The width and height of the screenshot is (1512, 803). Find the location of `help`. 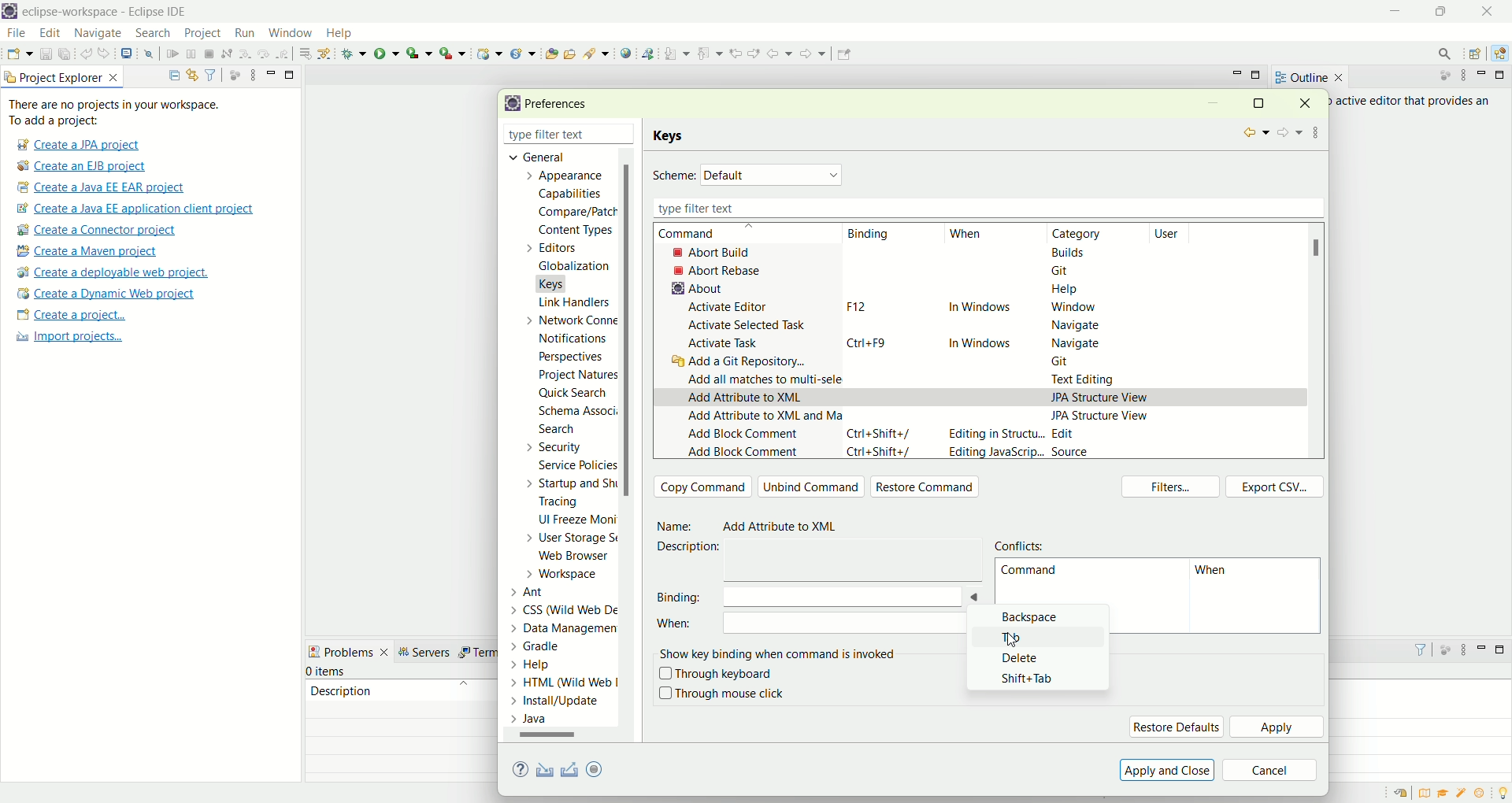

help is located at coordinates (1065, 292).